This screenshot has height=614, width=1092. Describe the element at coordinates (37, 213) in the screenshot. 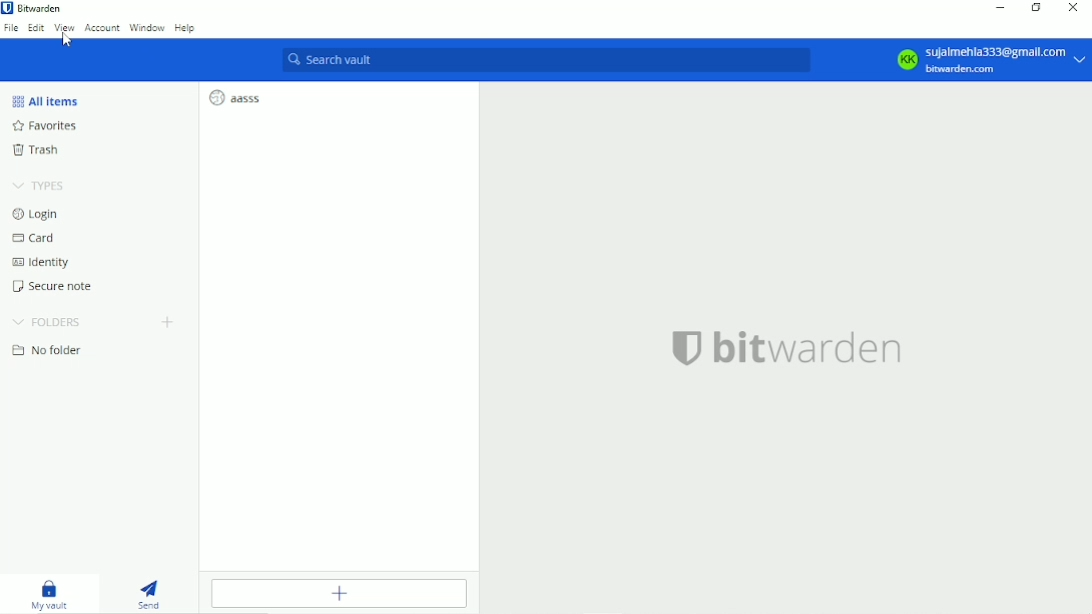

I see `Login` at that location.